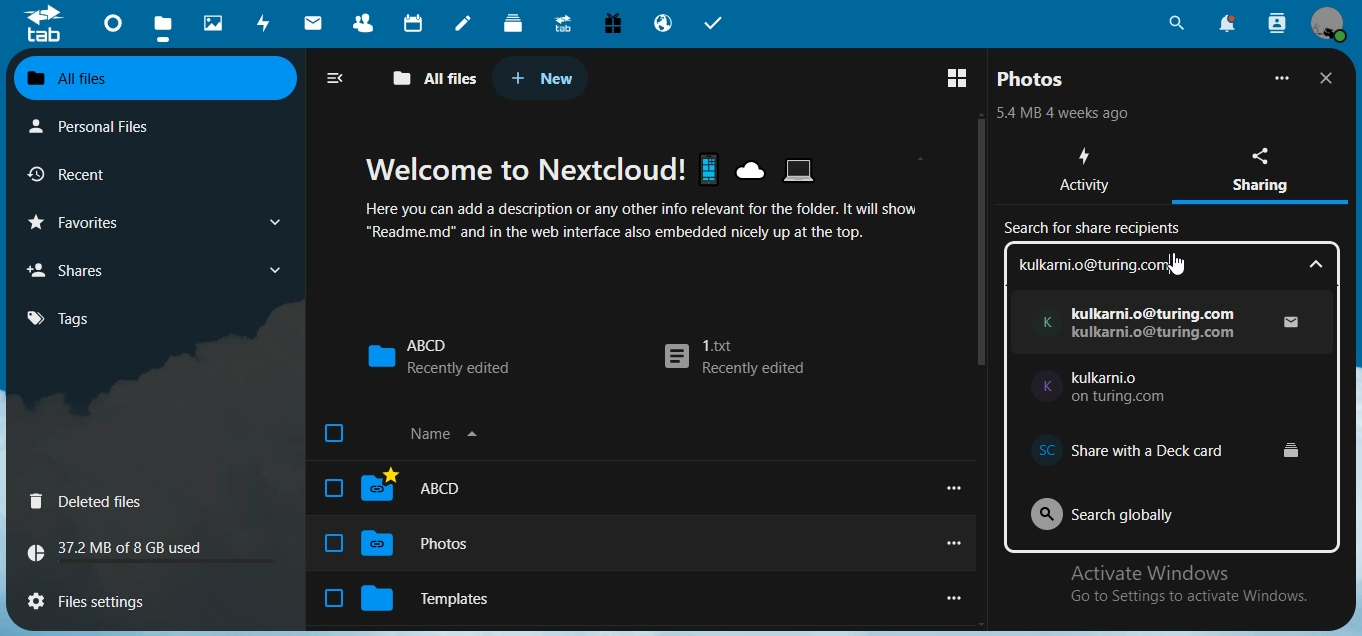 The height and width of the screenshot is (636, 1362). What do you see at coordinates (1198, 583) in the screenshot?
I see `text` at bounding box center [1198, 583].